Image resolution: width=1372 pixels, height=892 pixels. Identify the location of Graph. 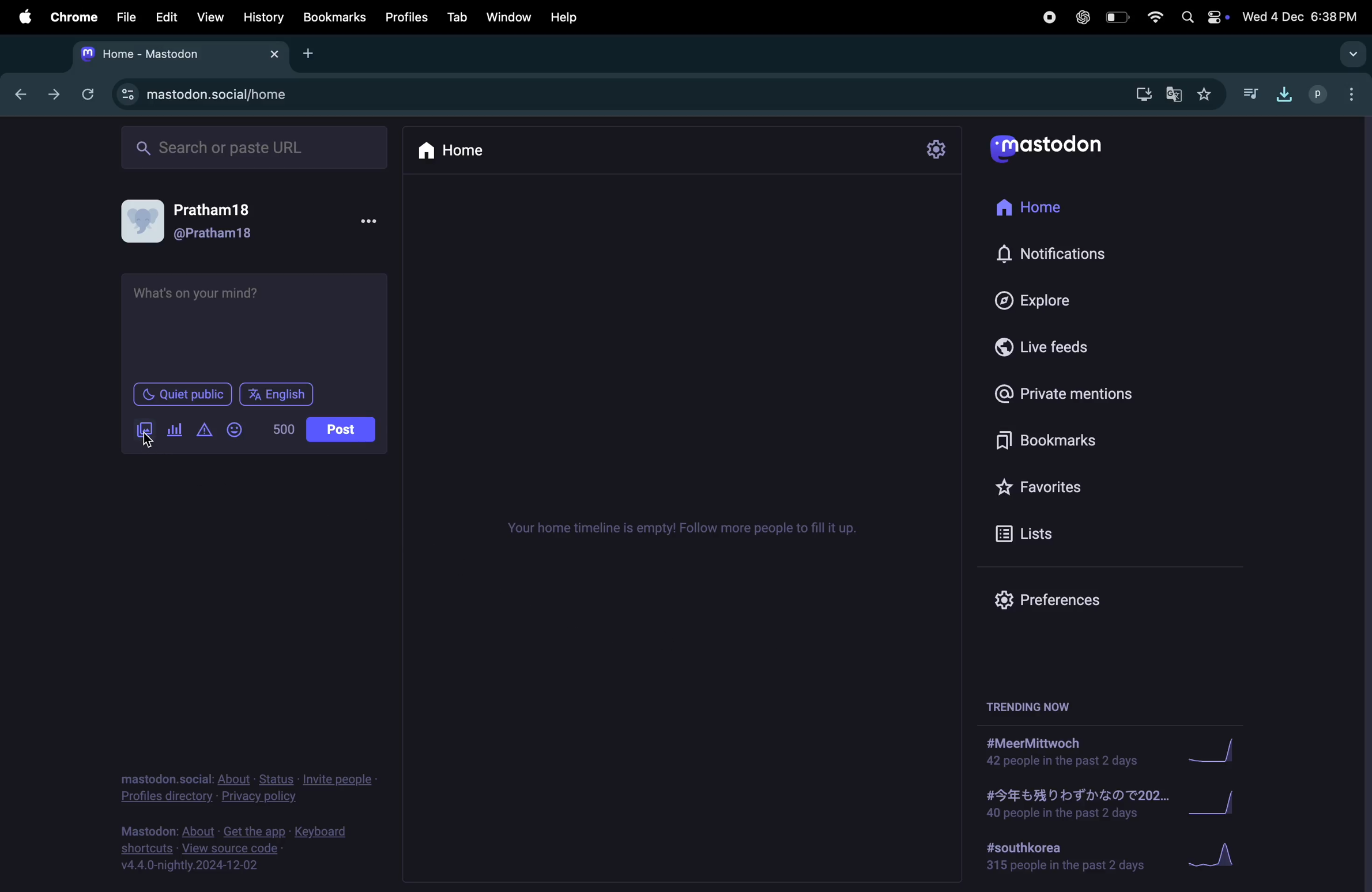
(1219, 749).